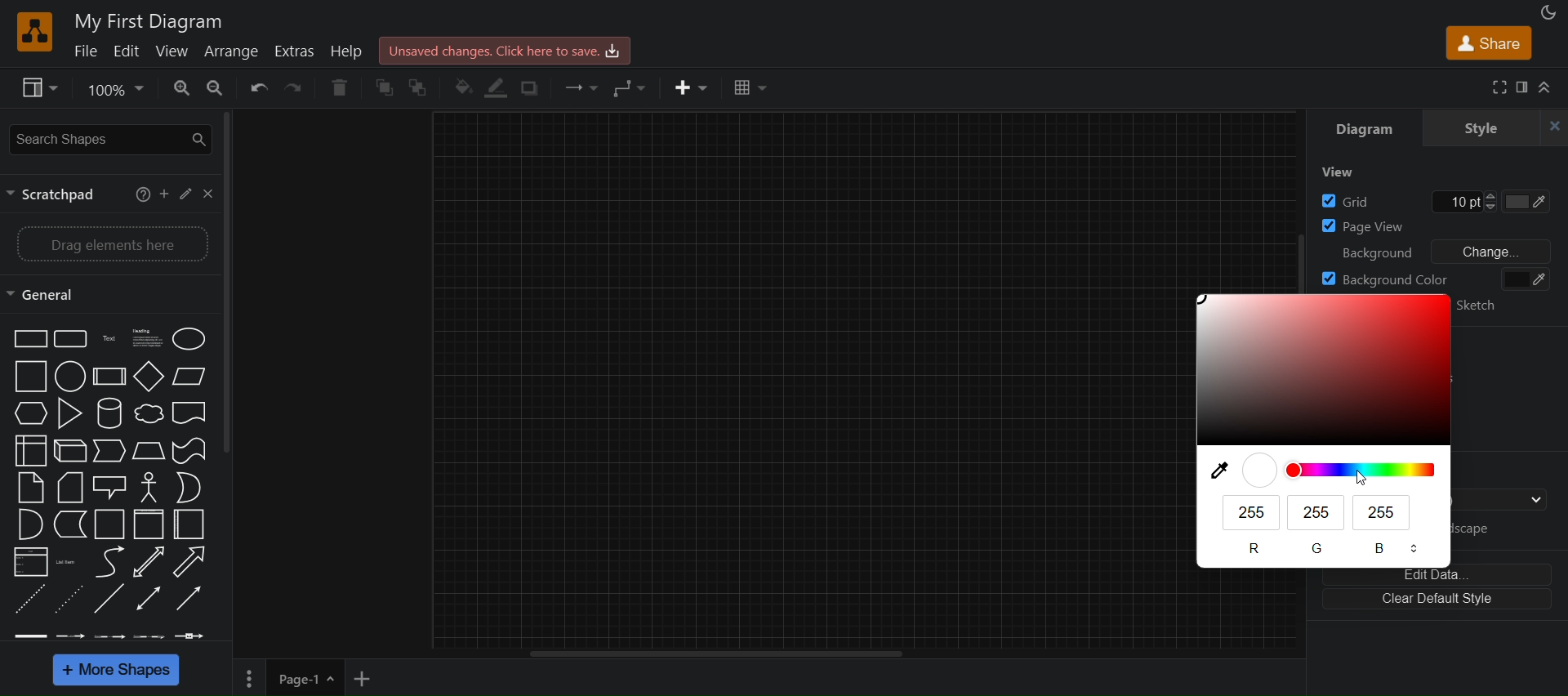 Image resolution: width=1568 pixels, height=696 pixels. What do you see at coordinates (497, 90) in the screenshot?
I see `linecolor` at bounding box center [497, 90].